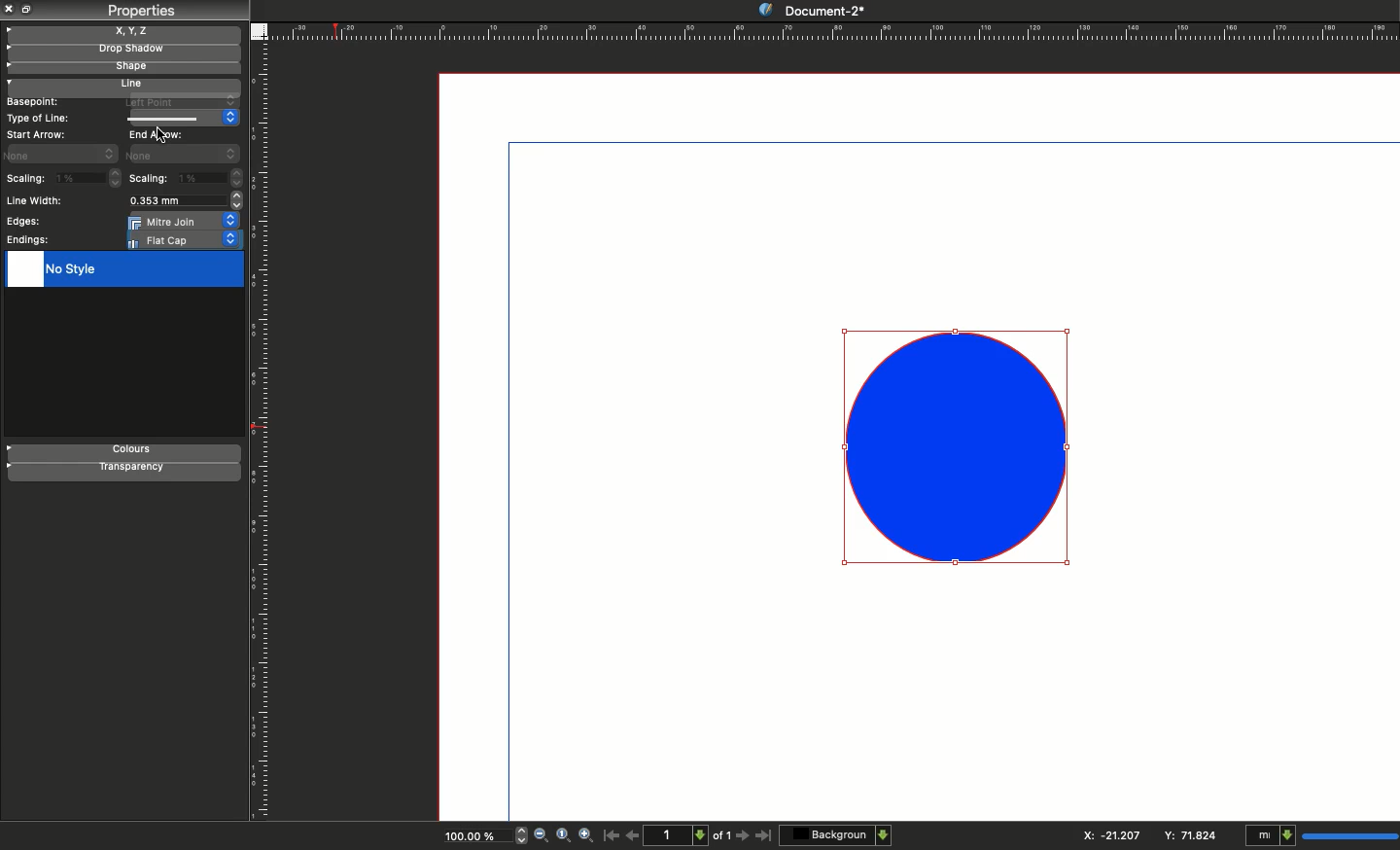 The width and height of the screenshot is (1400, 850). What do you see at coordinates (123, 31) in the screenshot?
I see `X, y, z` at bounding box center [123, 31].